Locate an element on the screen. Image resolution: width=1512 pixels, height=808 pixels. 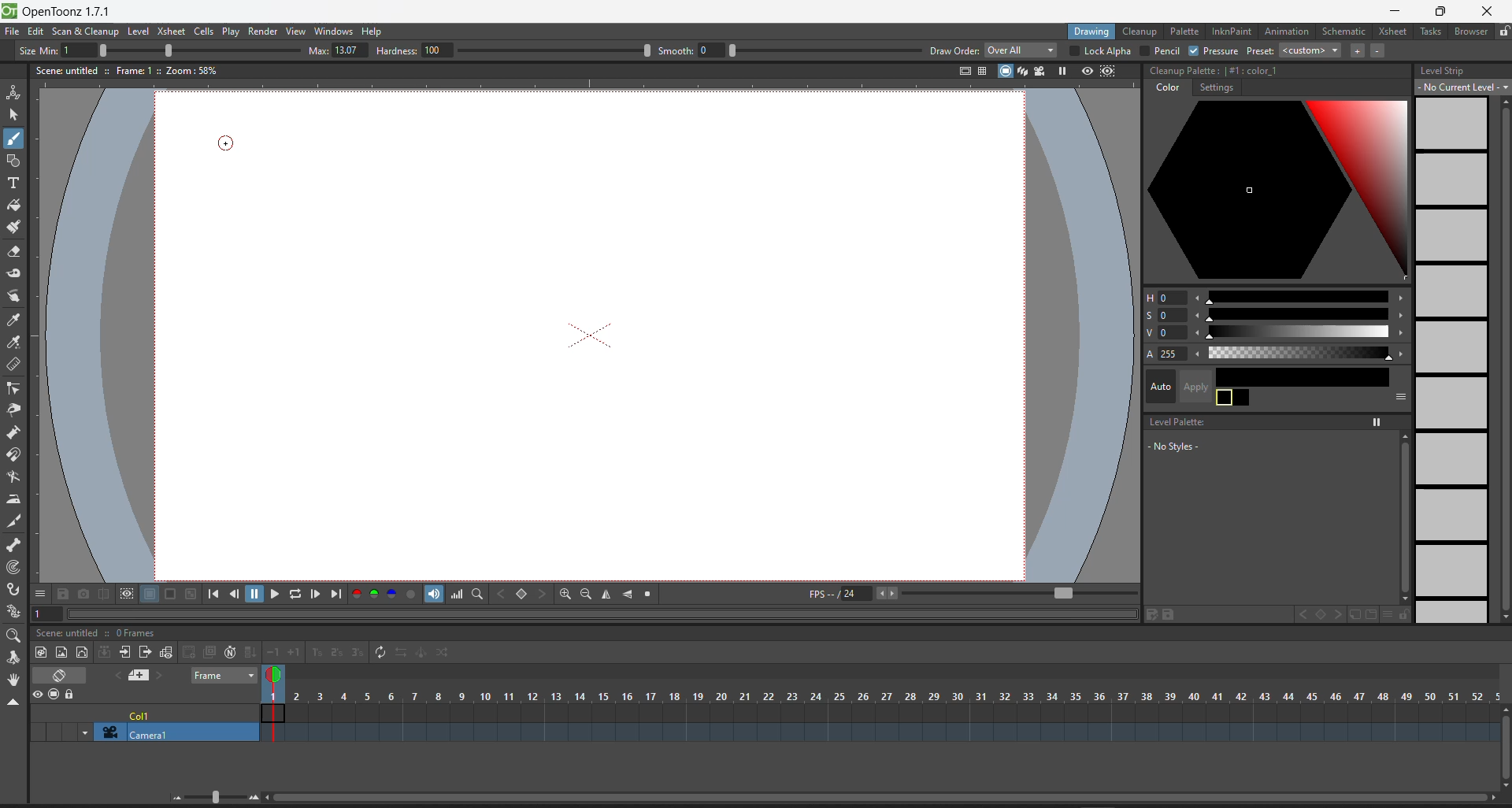
fill in empty cells is located at coordinates (251, 645).